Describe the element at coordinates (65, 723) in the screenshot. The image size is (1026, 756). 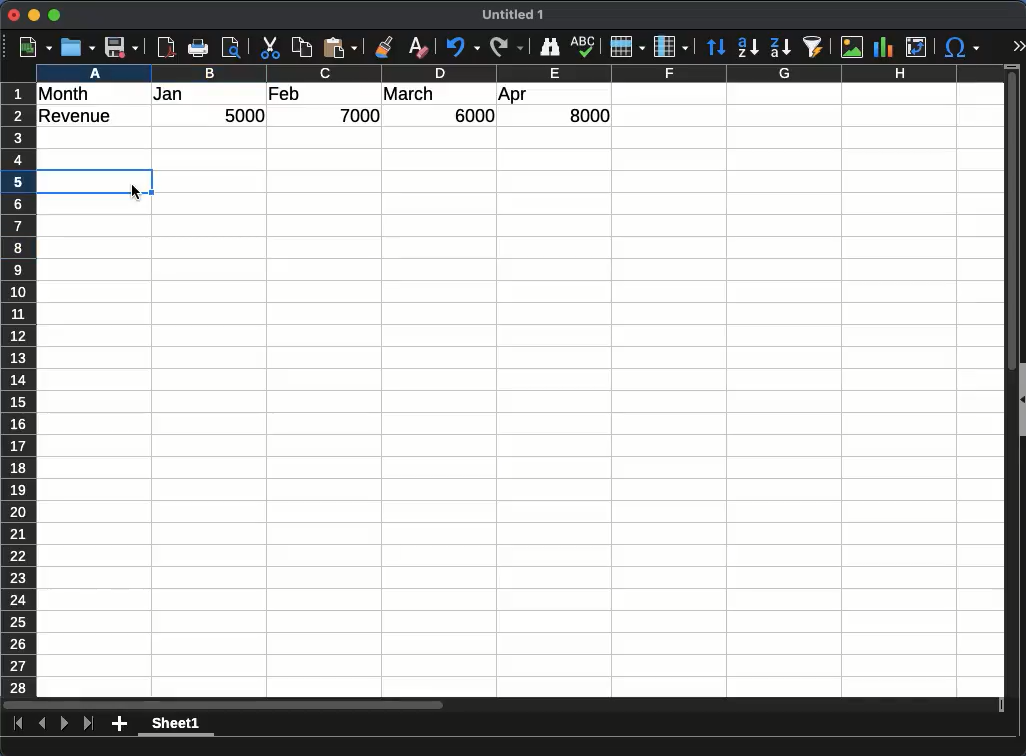
I see `next sheet` at that location.